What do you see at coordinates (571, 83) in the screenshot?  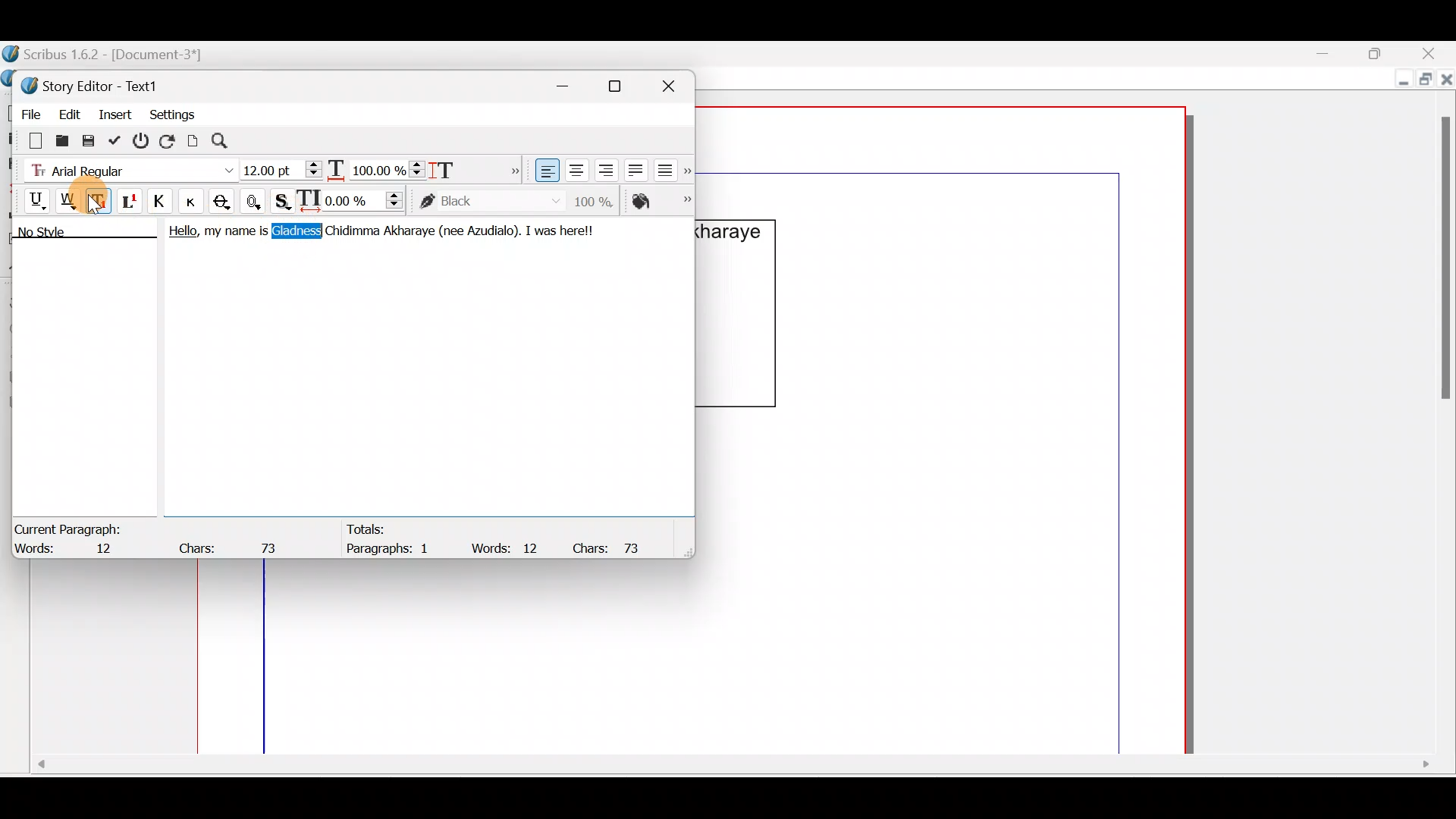 I see `Minimize` at bounding box center [571, 83].